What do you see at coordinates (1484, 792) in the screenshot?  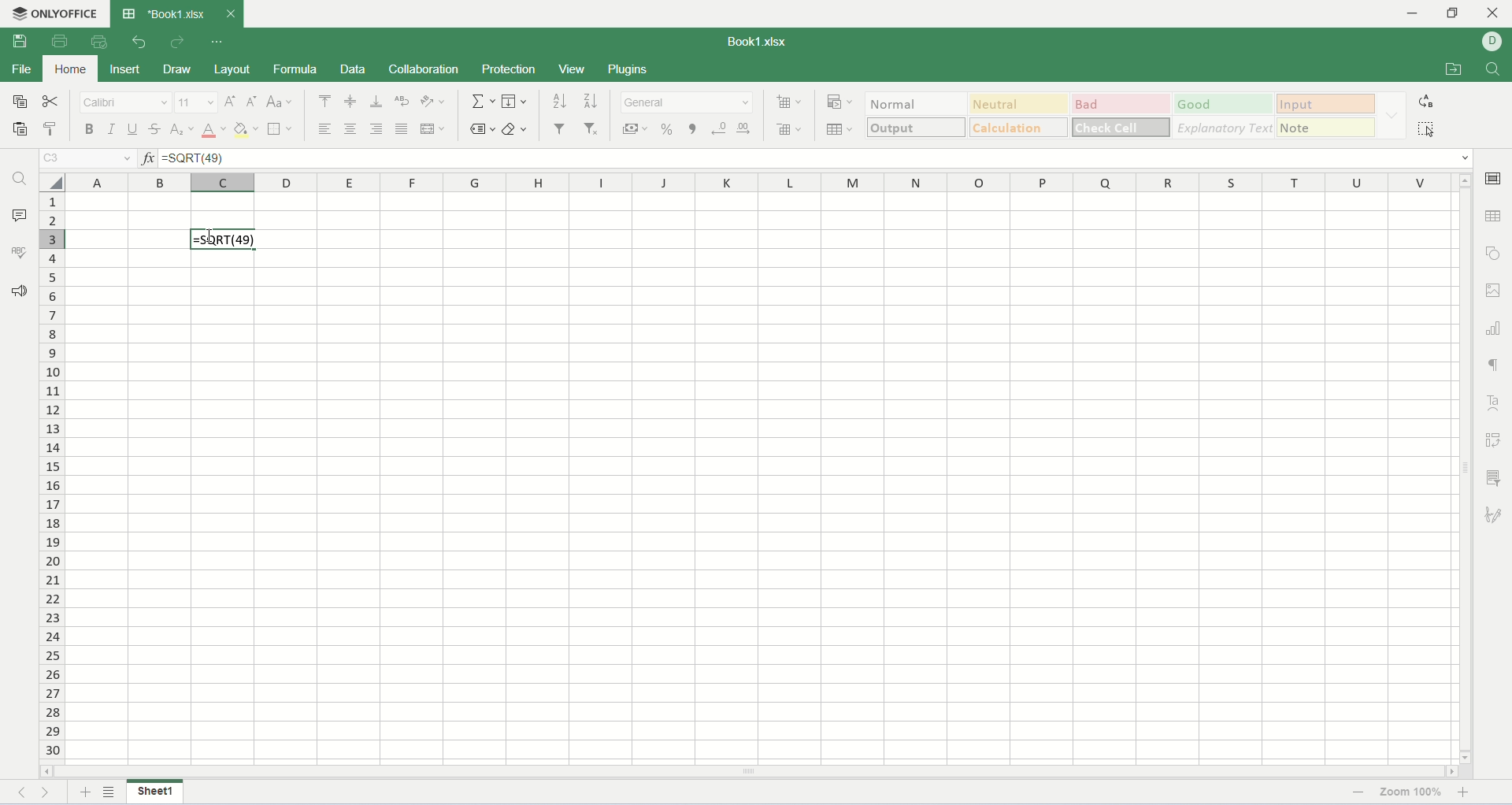 I see `zoom in` at bounding box center [1484, 792].